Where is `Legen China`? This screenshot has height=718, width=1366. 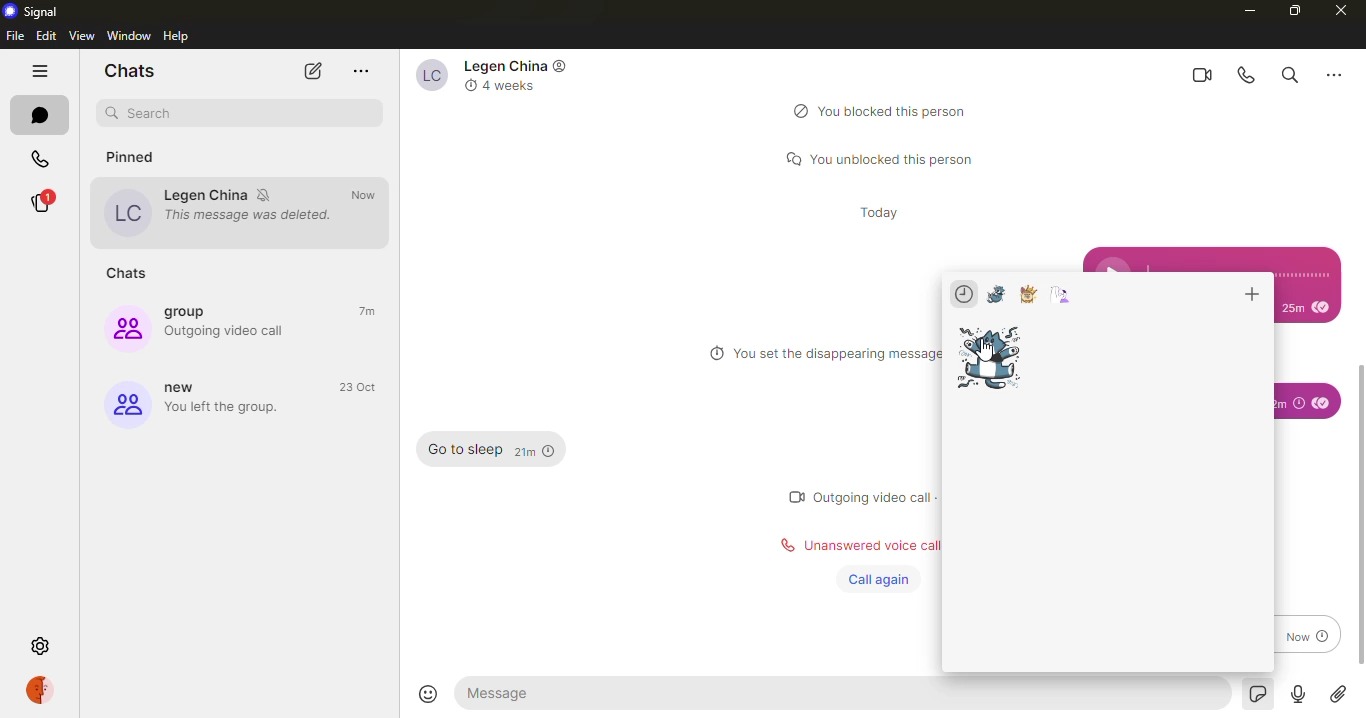
Legen China is located at coordinates (506, 65).